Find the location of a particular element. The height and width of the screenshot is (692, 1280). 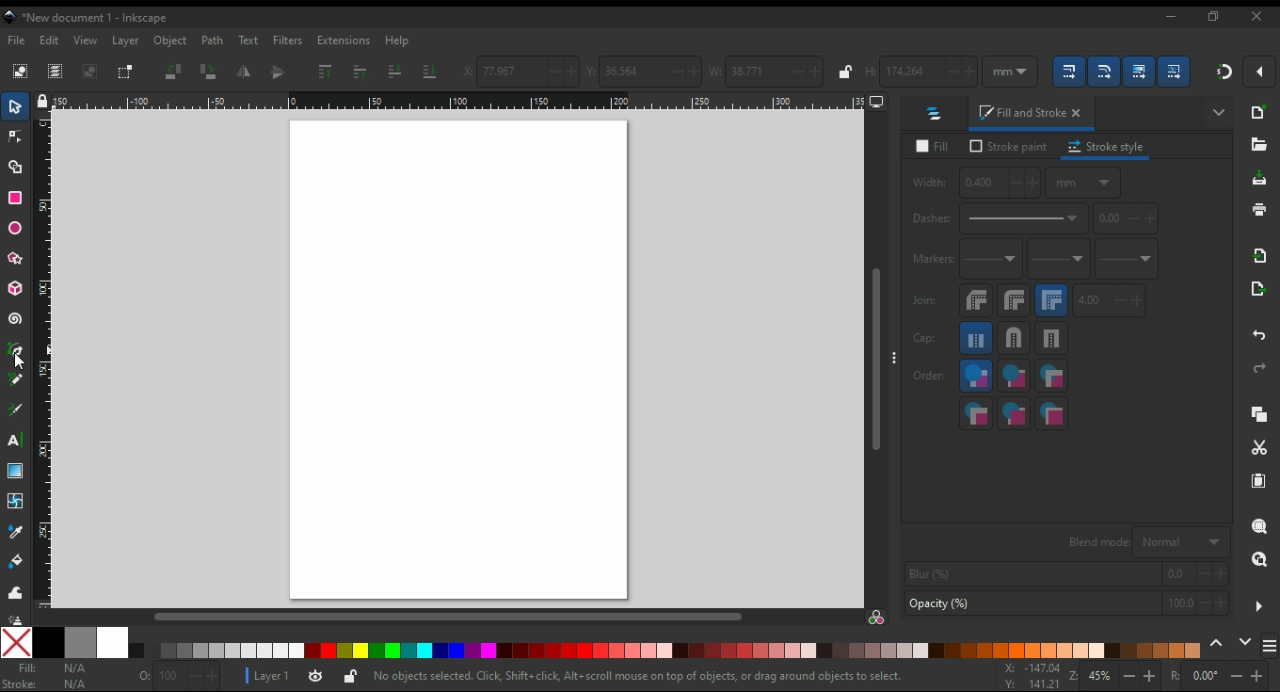

round is located at coordinates (1015, 337).